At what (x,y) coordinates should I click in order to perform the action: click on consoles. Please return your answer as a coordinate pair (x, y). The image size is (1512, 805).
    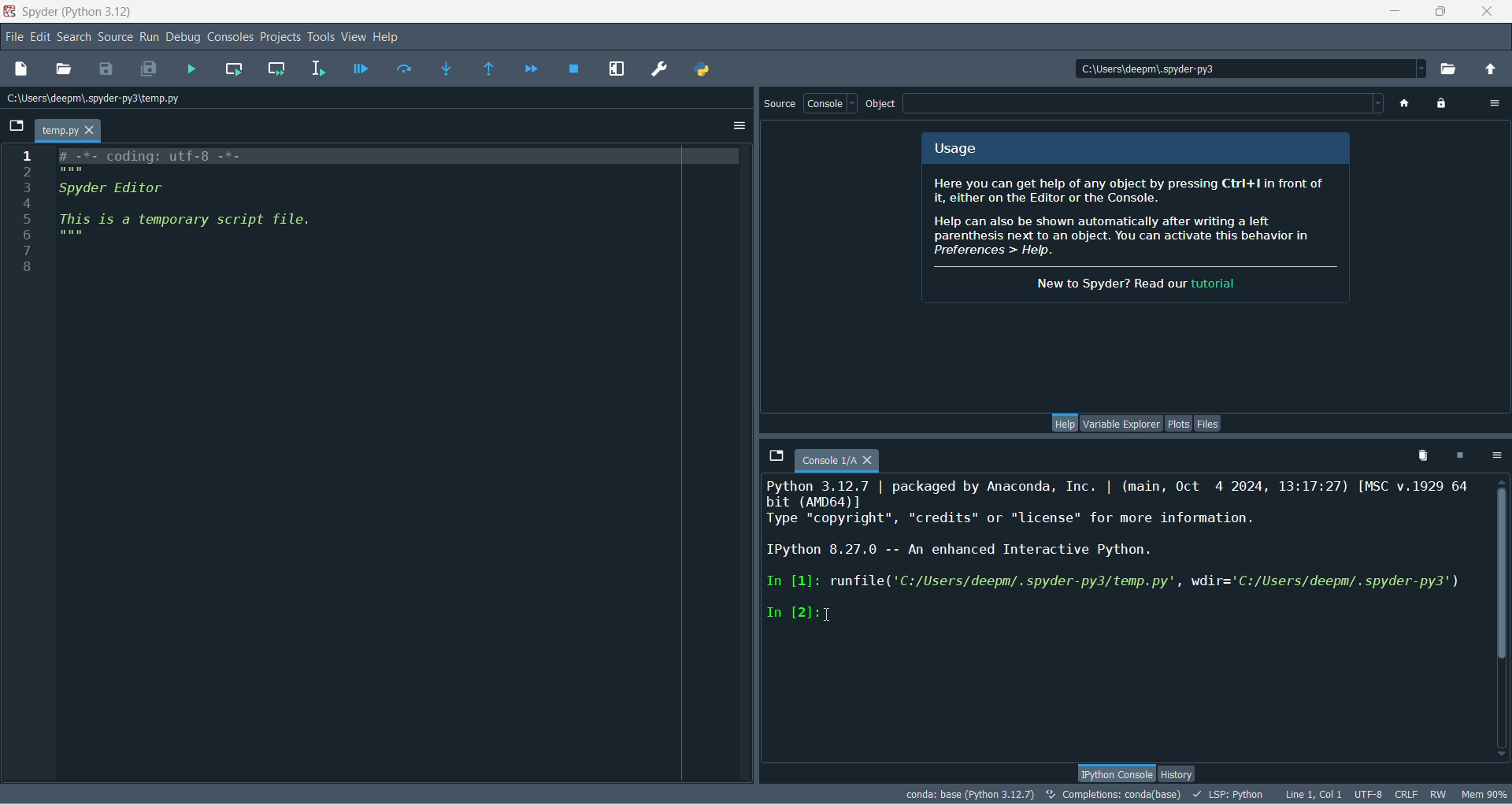
    Looking at the image, I should click on (230, 37).